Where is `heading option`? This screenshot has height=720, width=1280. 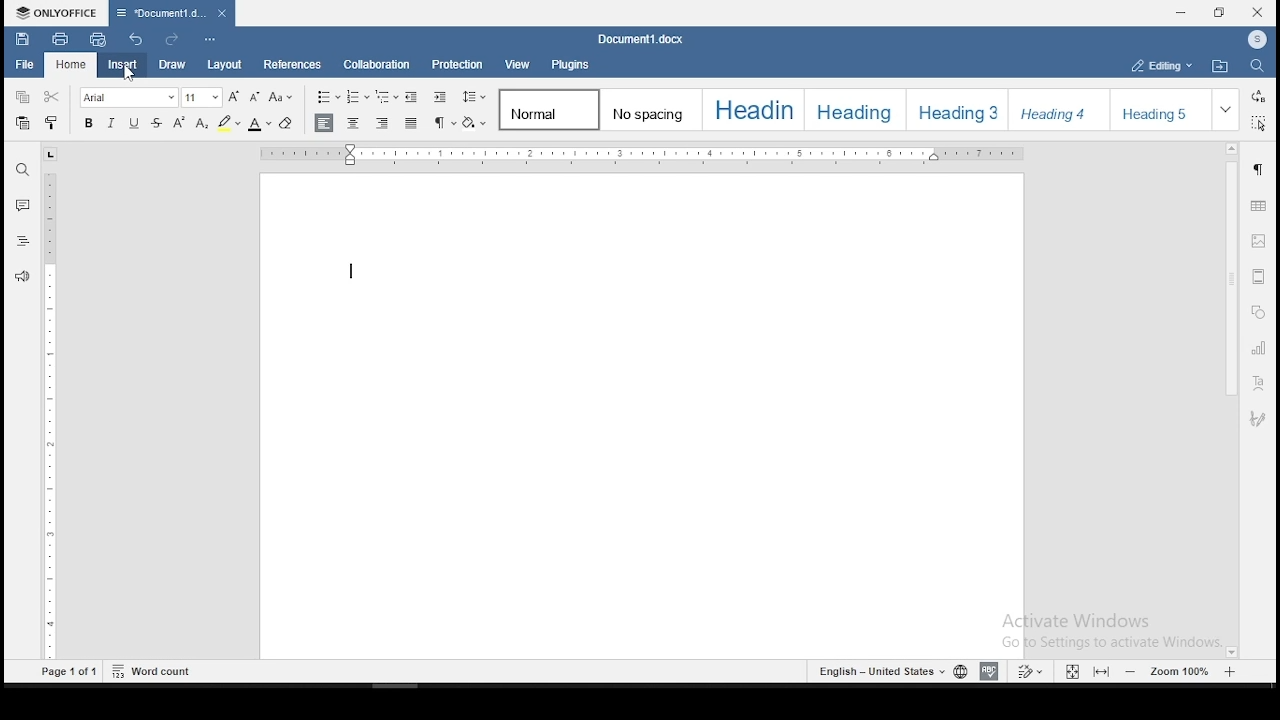 heading option is located at coordinates (757, 110).